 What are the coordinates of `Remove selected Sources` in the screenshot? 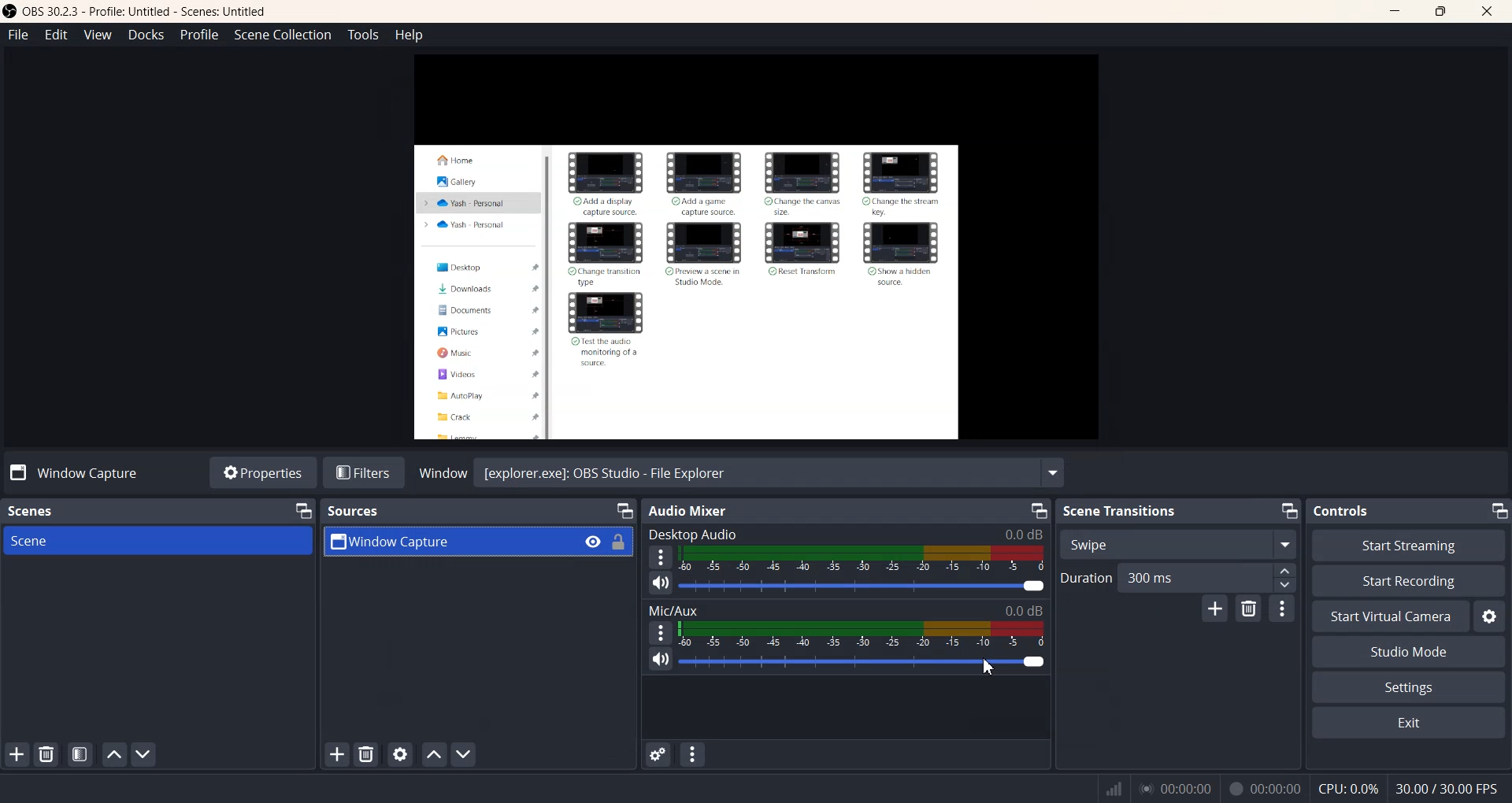 It's located at (368, 753).